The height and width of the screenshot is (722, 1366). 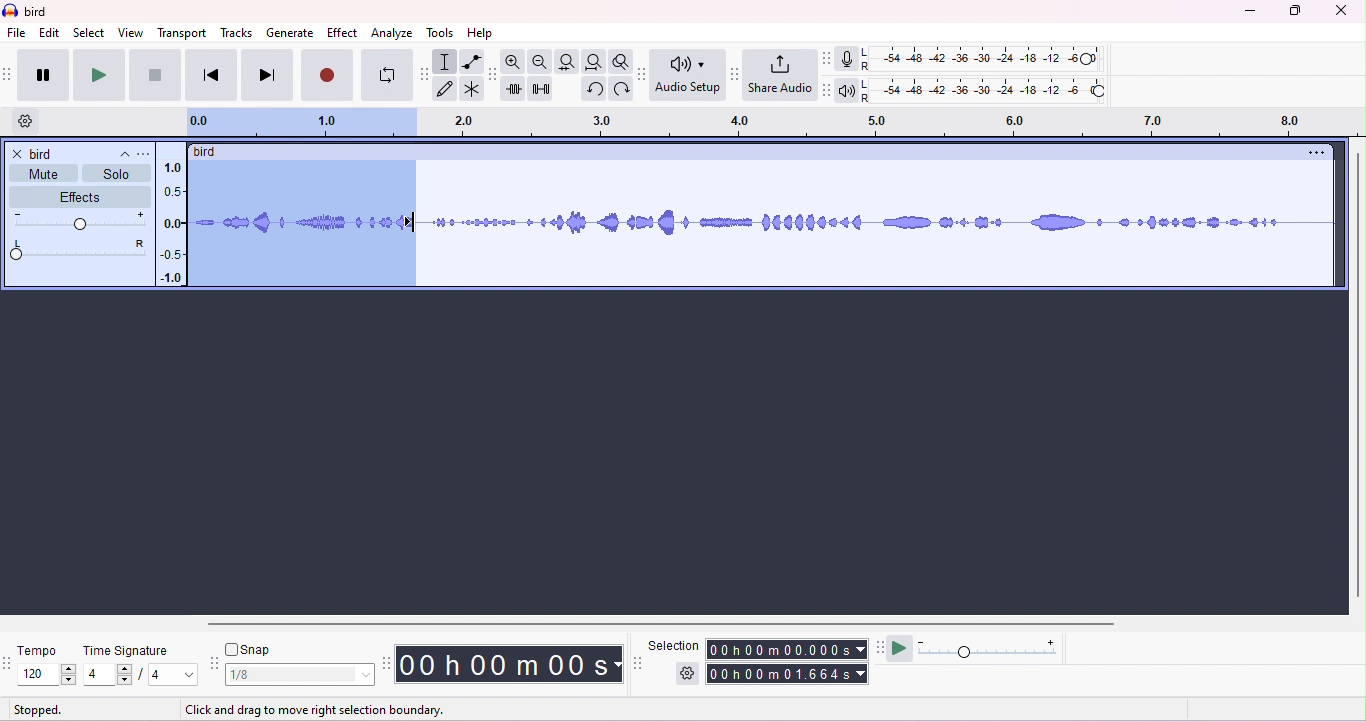 I want to click on Audio setup, so click(x=690, y=74).